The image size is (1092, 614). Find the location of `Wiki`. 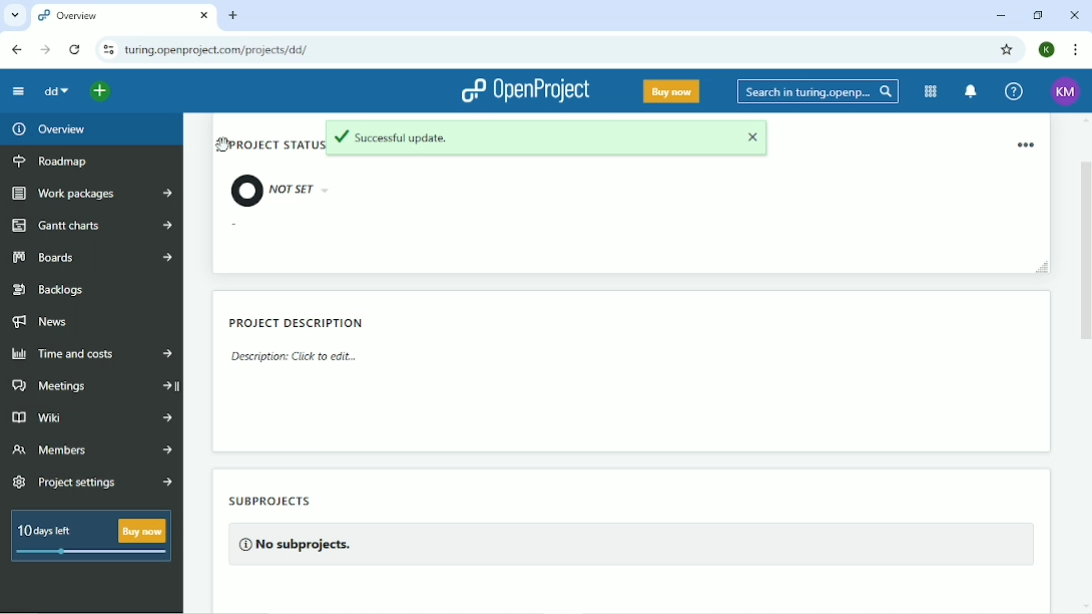

Wiki is located at coordinates (90, 419).